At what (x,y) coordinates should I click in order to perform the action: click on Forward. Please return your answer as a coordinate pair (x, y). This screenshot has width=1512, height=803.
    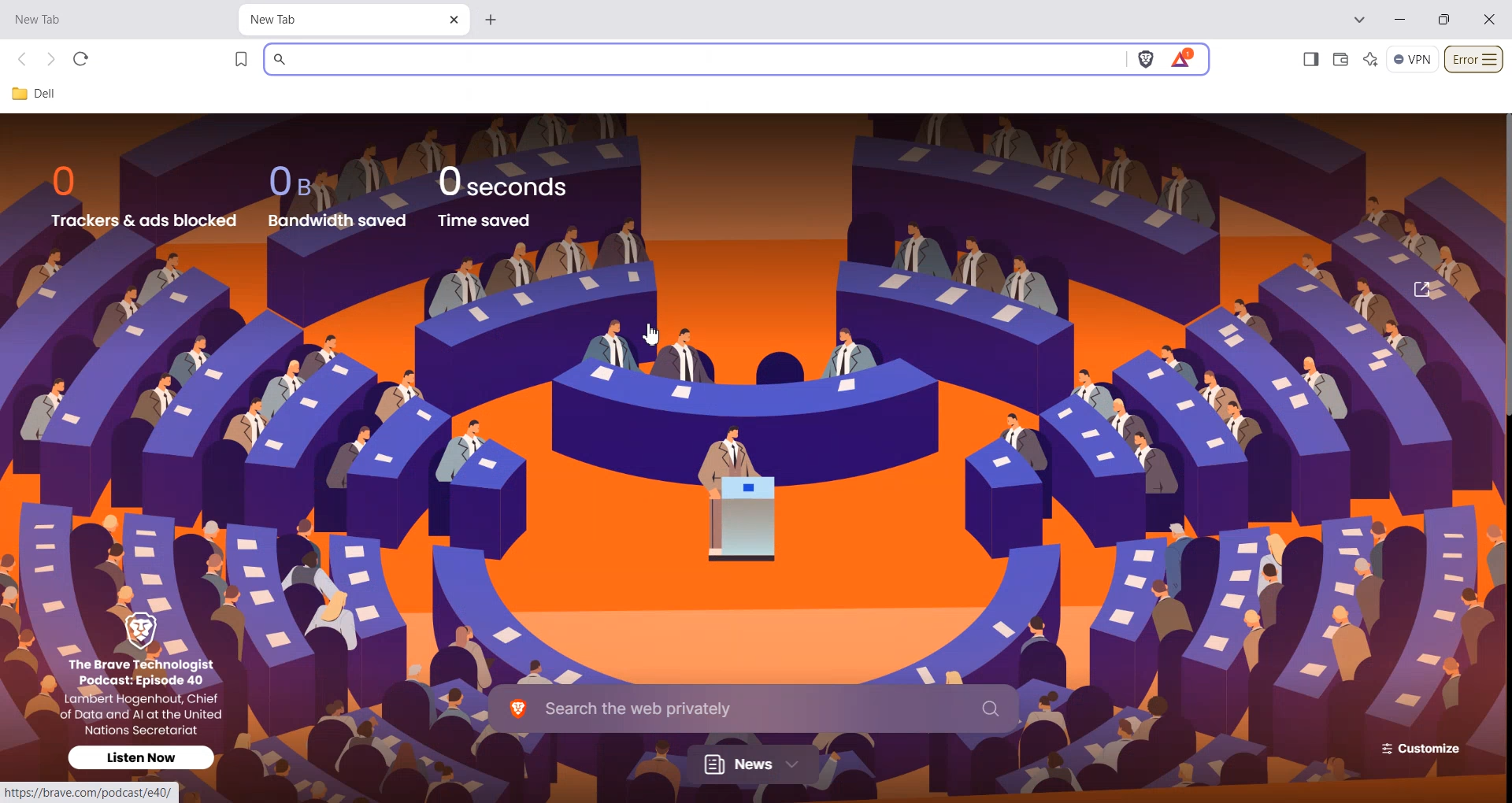
    Looking at the image, I should click on (50, 60).